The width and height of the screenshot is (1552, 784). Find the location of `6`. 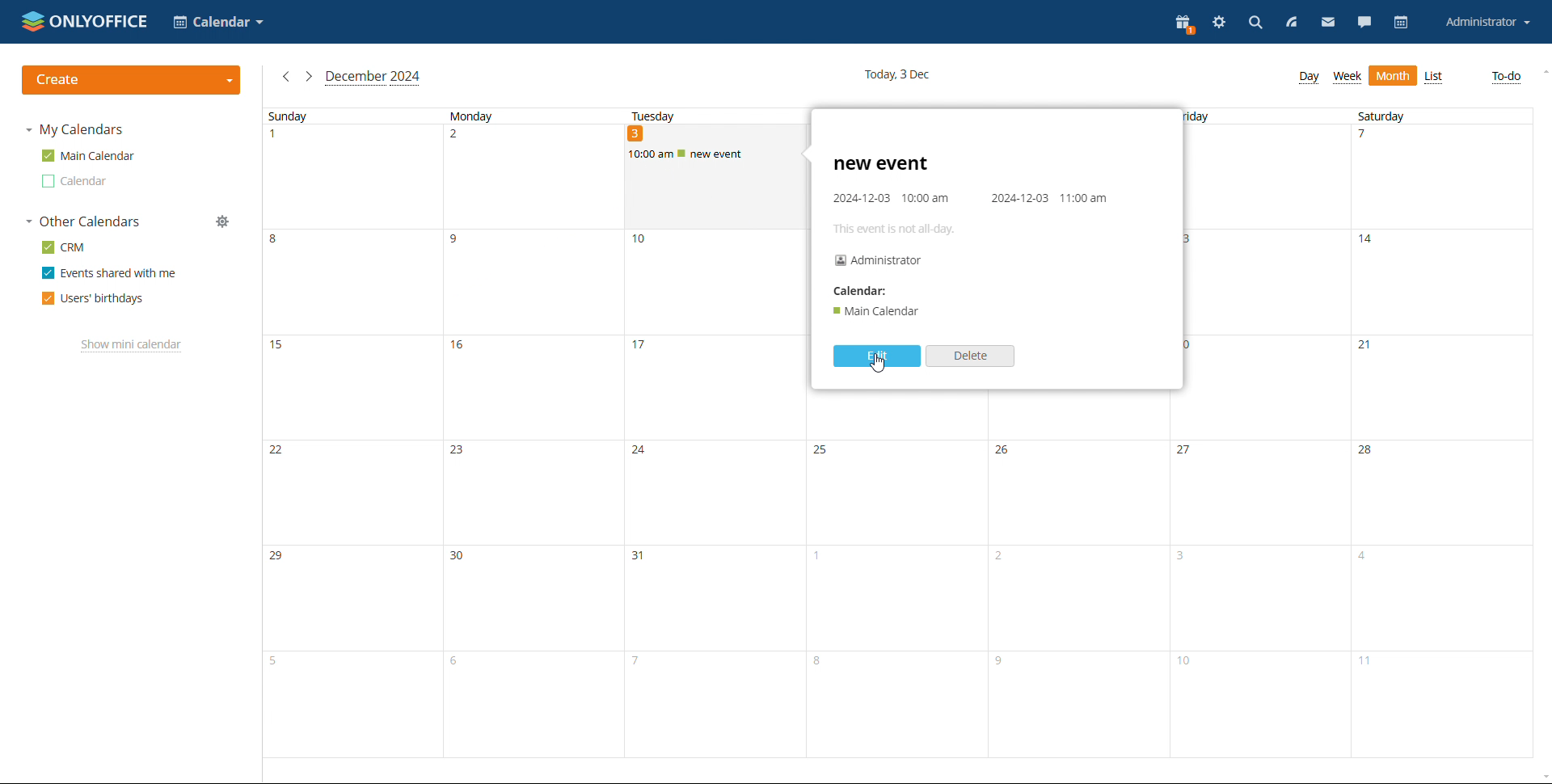

6 is located at coordinates (531, 703).